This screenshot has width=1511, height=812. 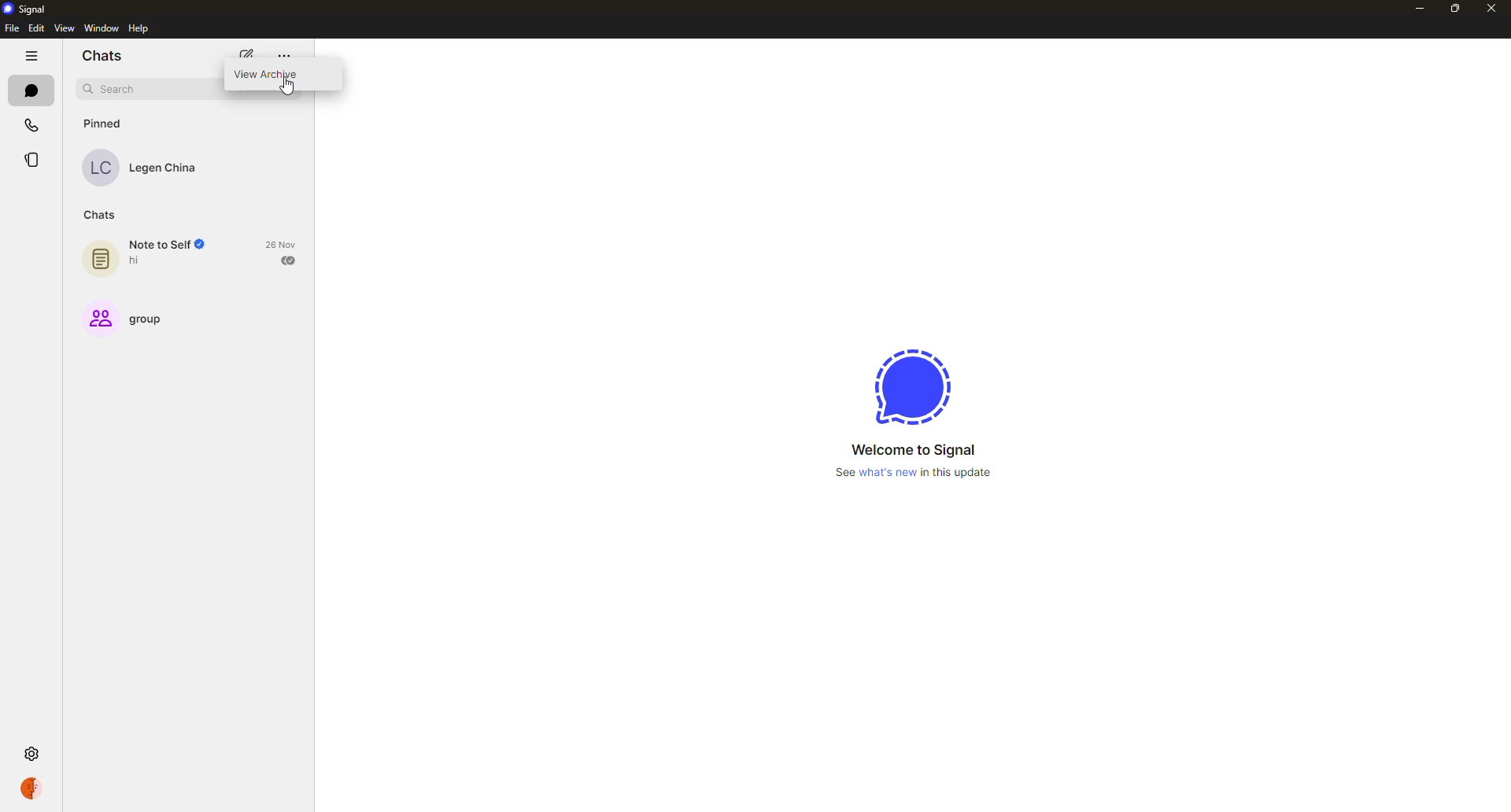 What do you see at coordinates (284, 56) in the screenshot?
I see `more` at bounding box center [284, 56].